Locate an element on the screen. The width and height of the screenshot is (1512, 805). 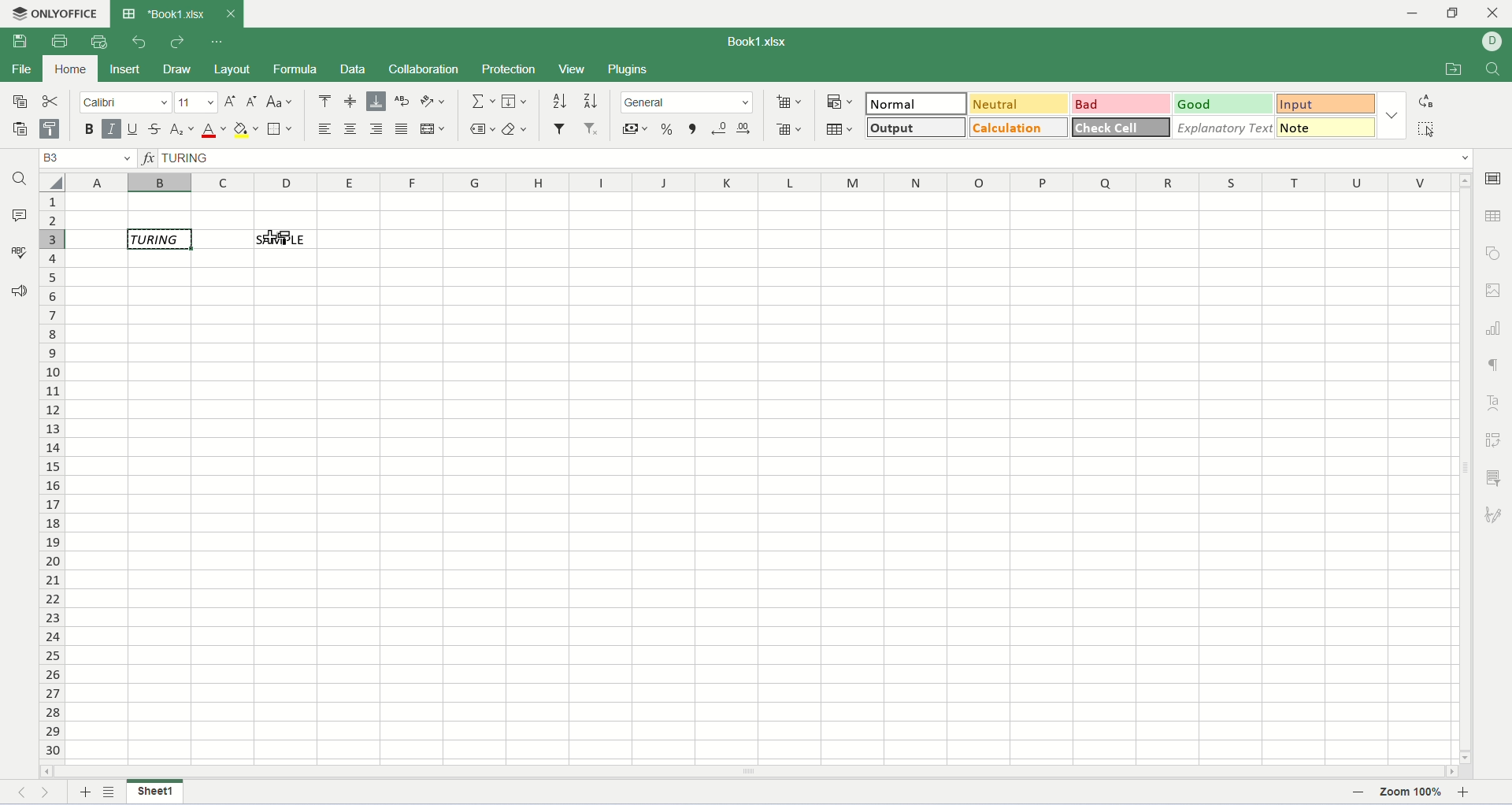
number format is located at coordinates (687, 102).